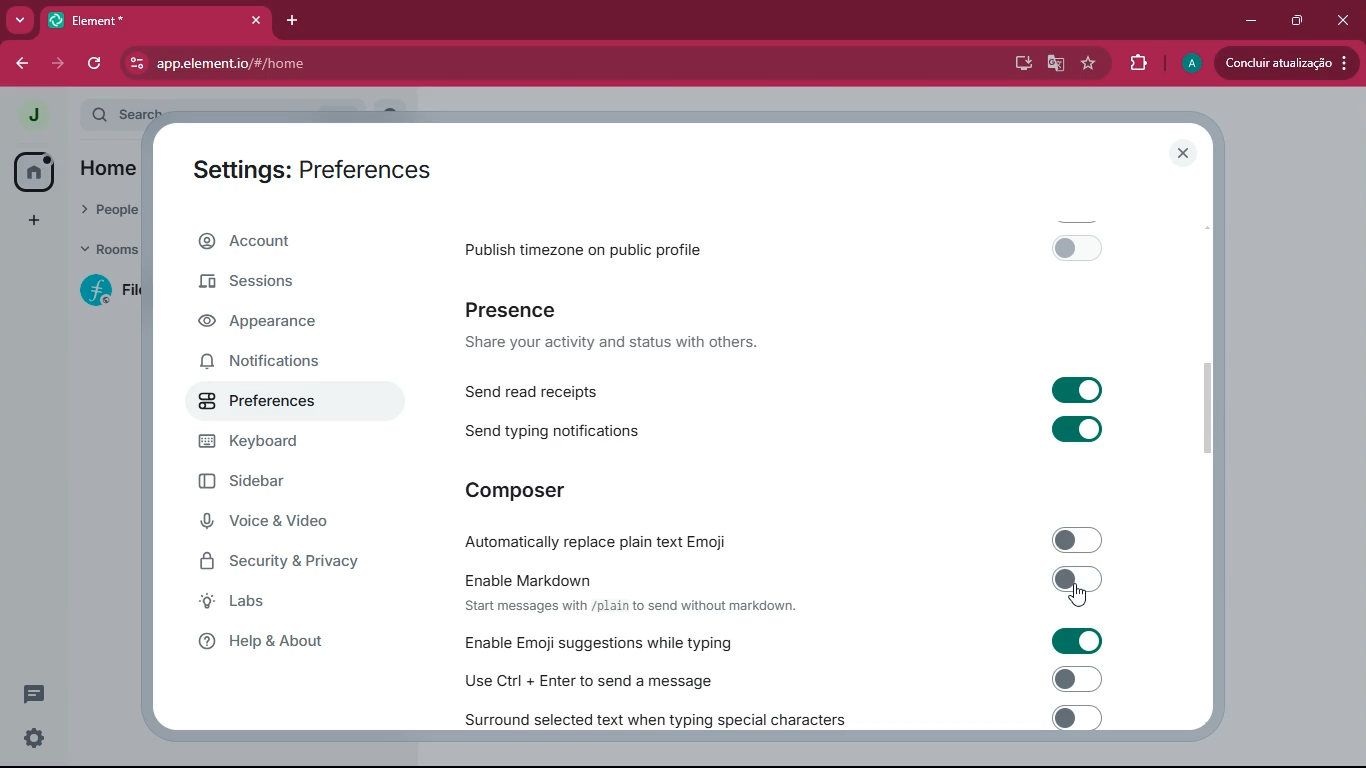  I want to click on desktop, so click(1017, 64).